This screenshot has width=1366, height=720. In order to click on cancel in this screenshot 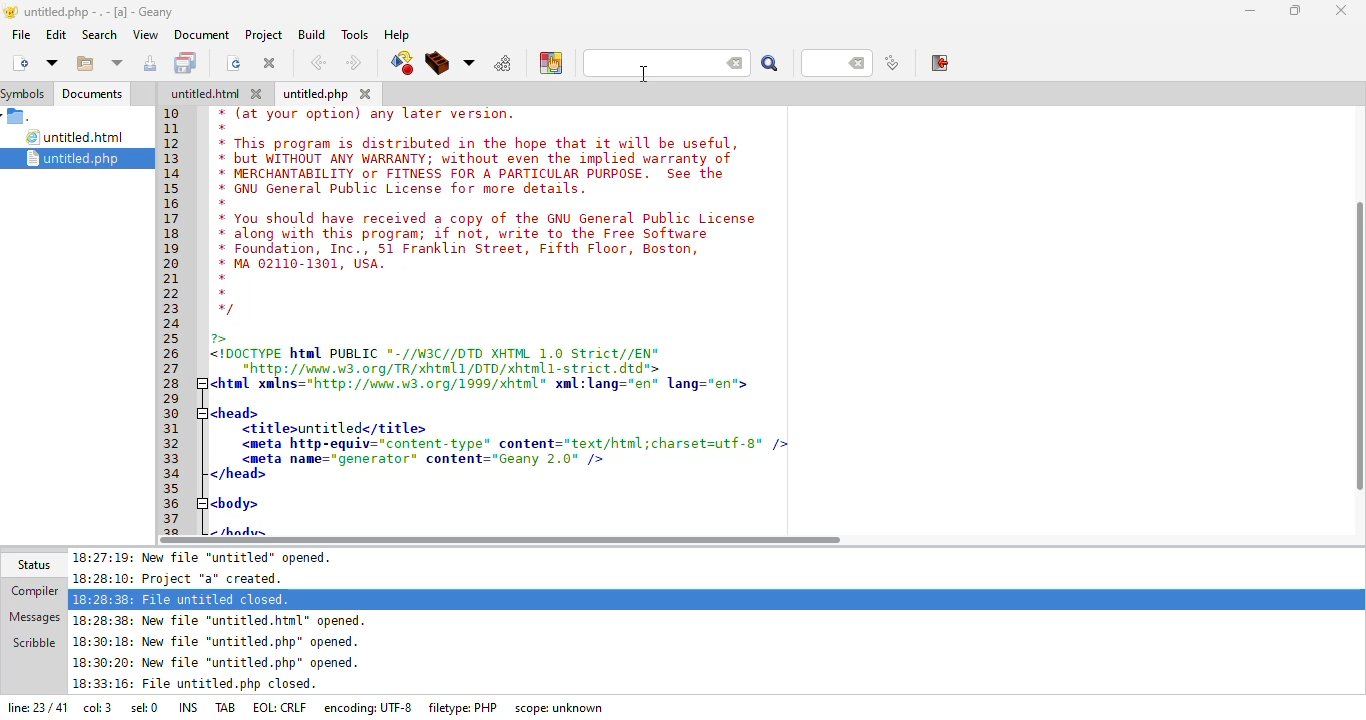, I will do `click(736, 64)`.